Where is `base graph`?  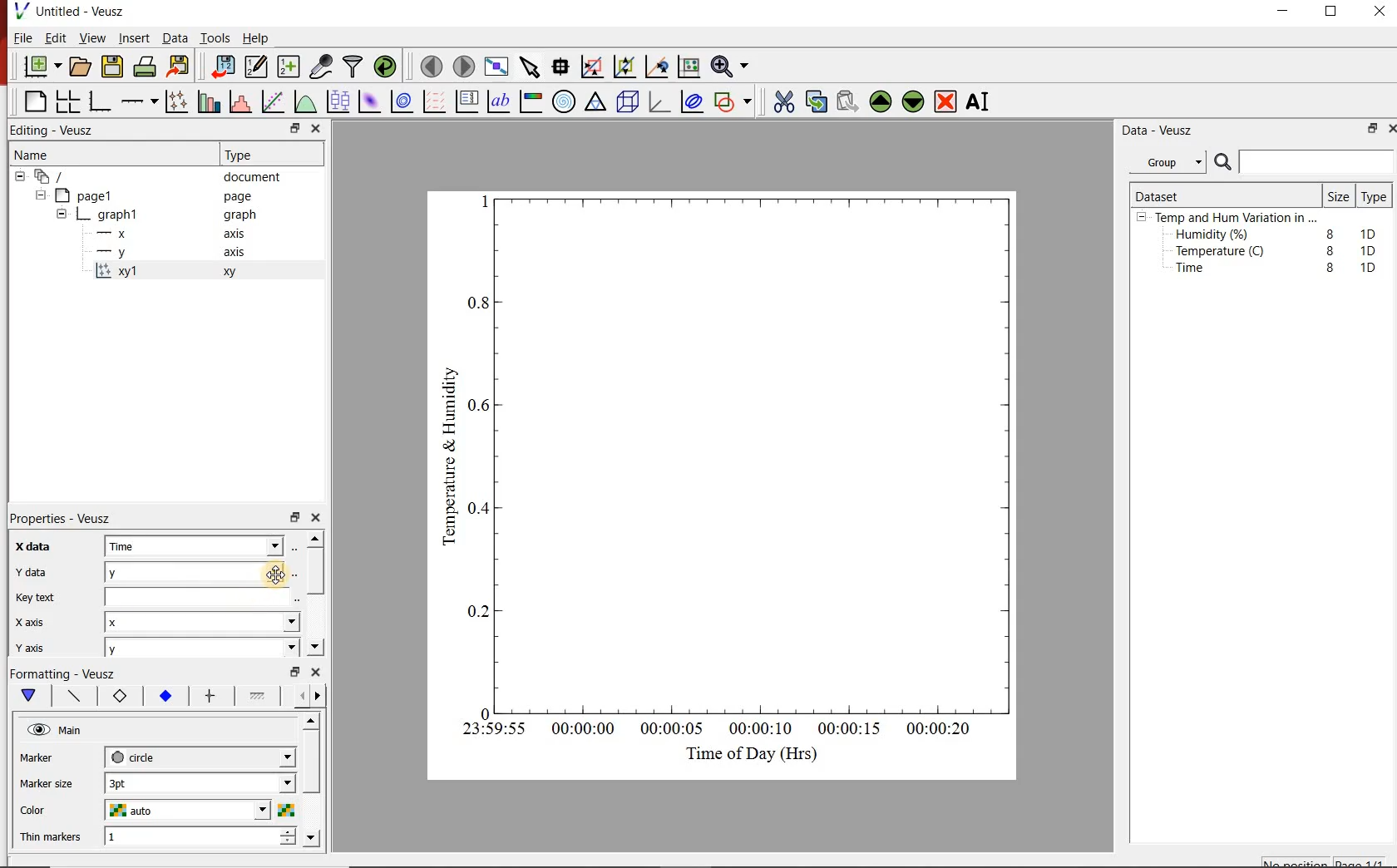
base graph is located at coordinates (101, 99).